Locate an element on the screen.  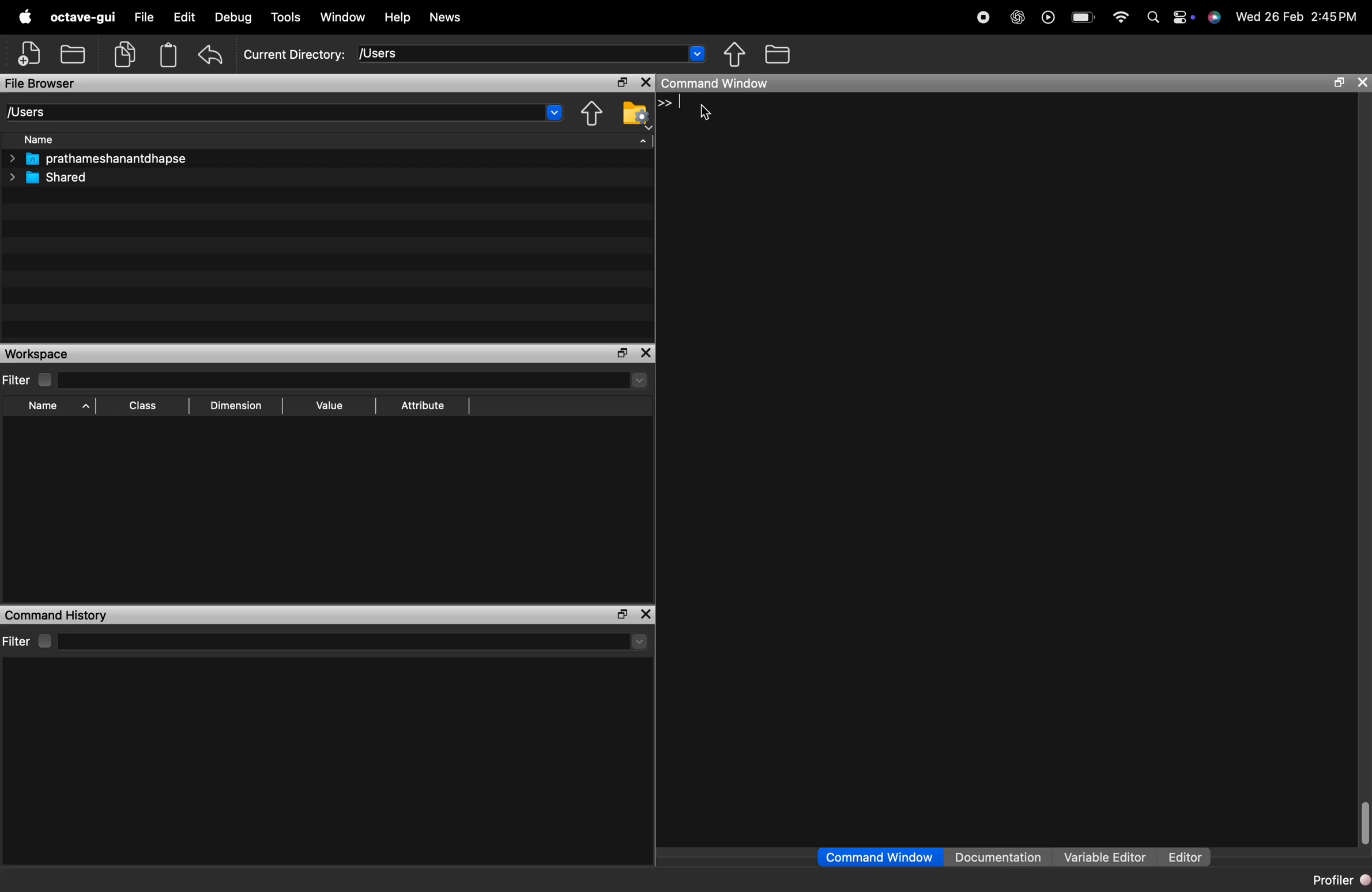
Class is located at coordinates (144, 405).